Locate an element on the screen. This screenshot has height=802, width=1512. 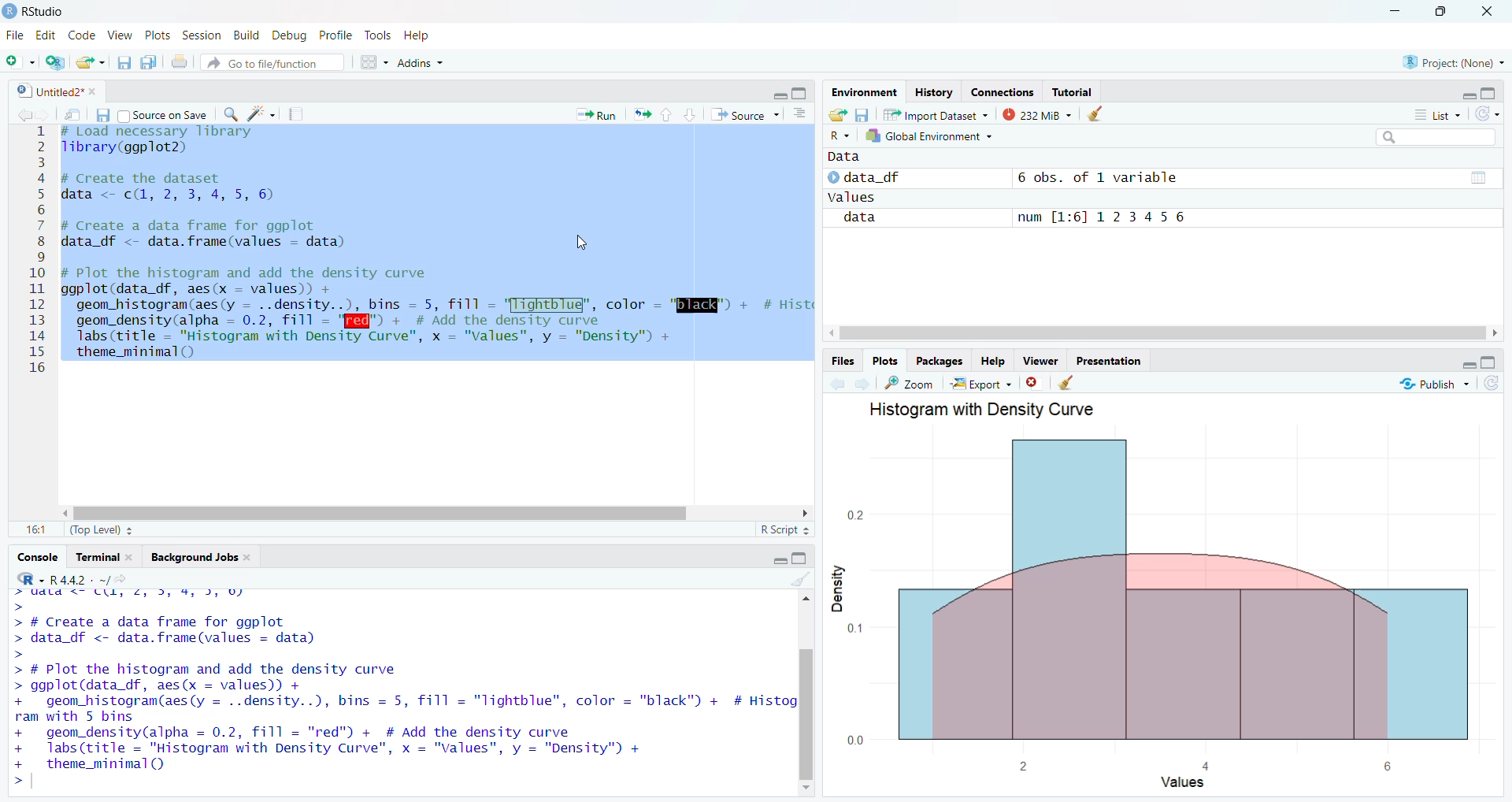
View is located at coordinates (119, 33).